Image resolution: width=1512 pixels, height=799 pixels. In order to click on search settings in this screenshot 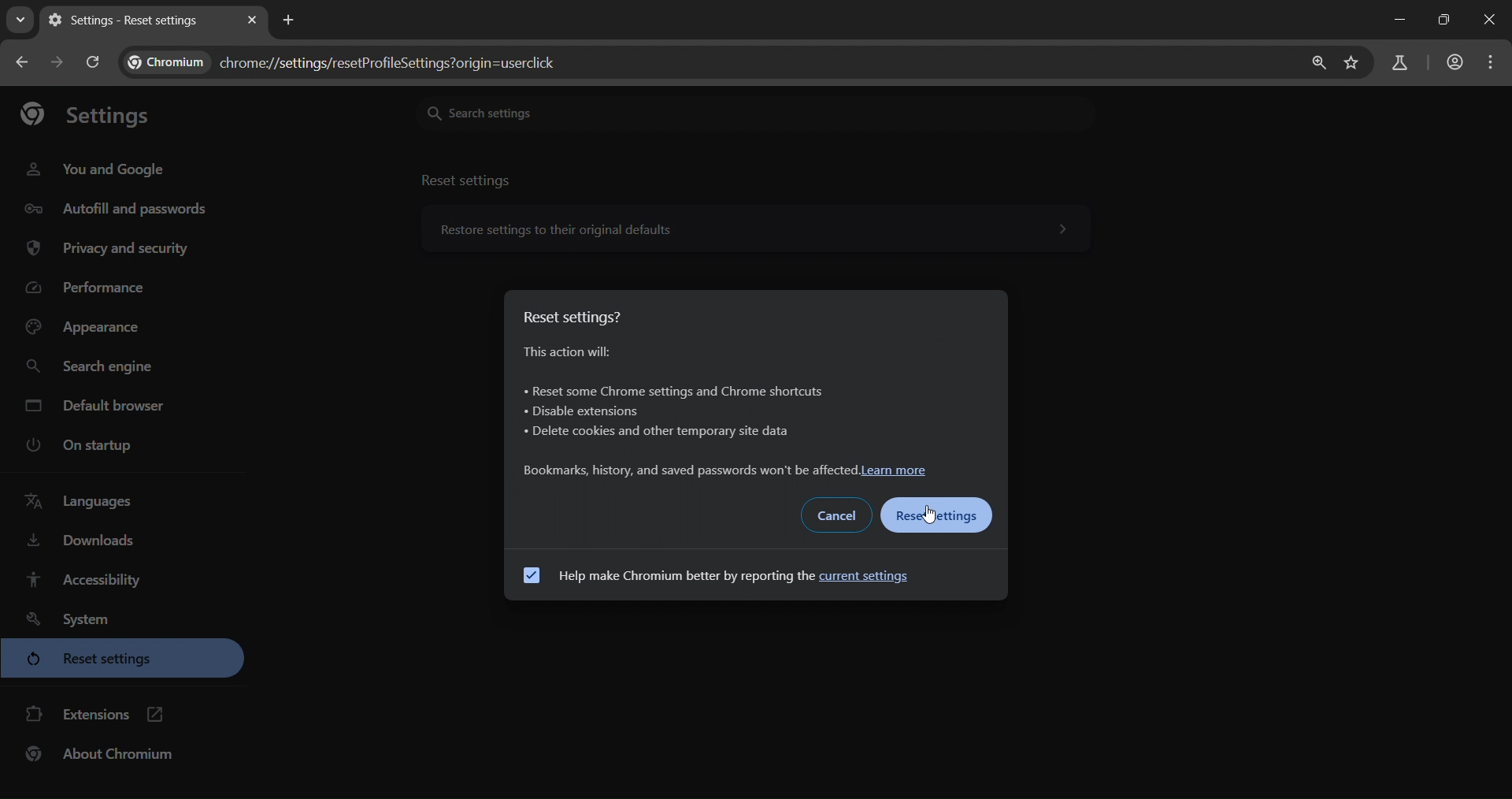, I will do `click(628, 109)`.